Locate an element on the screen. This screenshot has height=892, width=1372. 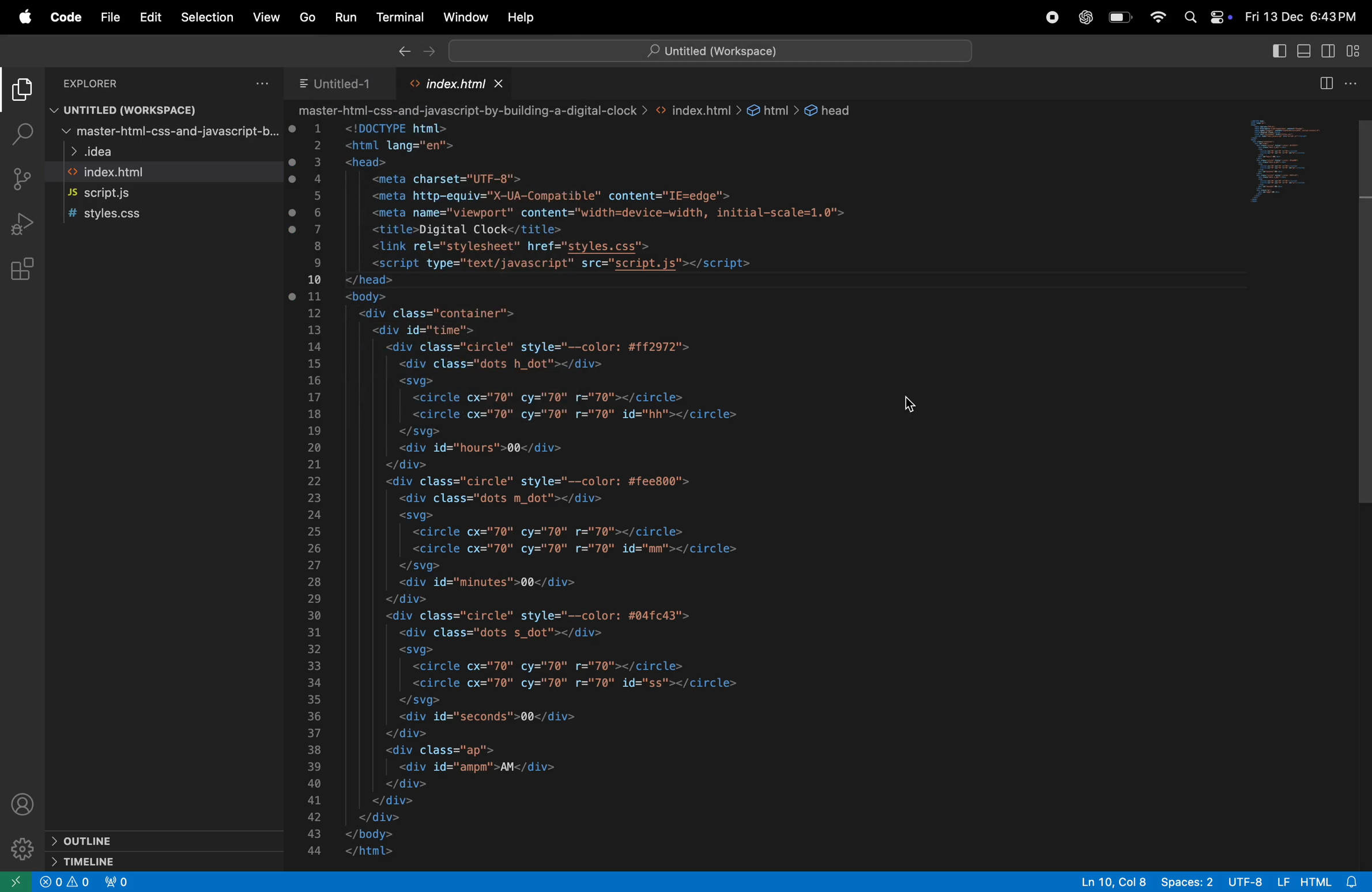
extensions is located at coordinates (21, 272).